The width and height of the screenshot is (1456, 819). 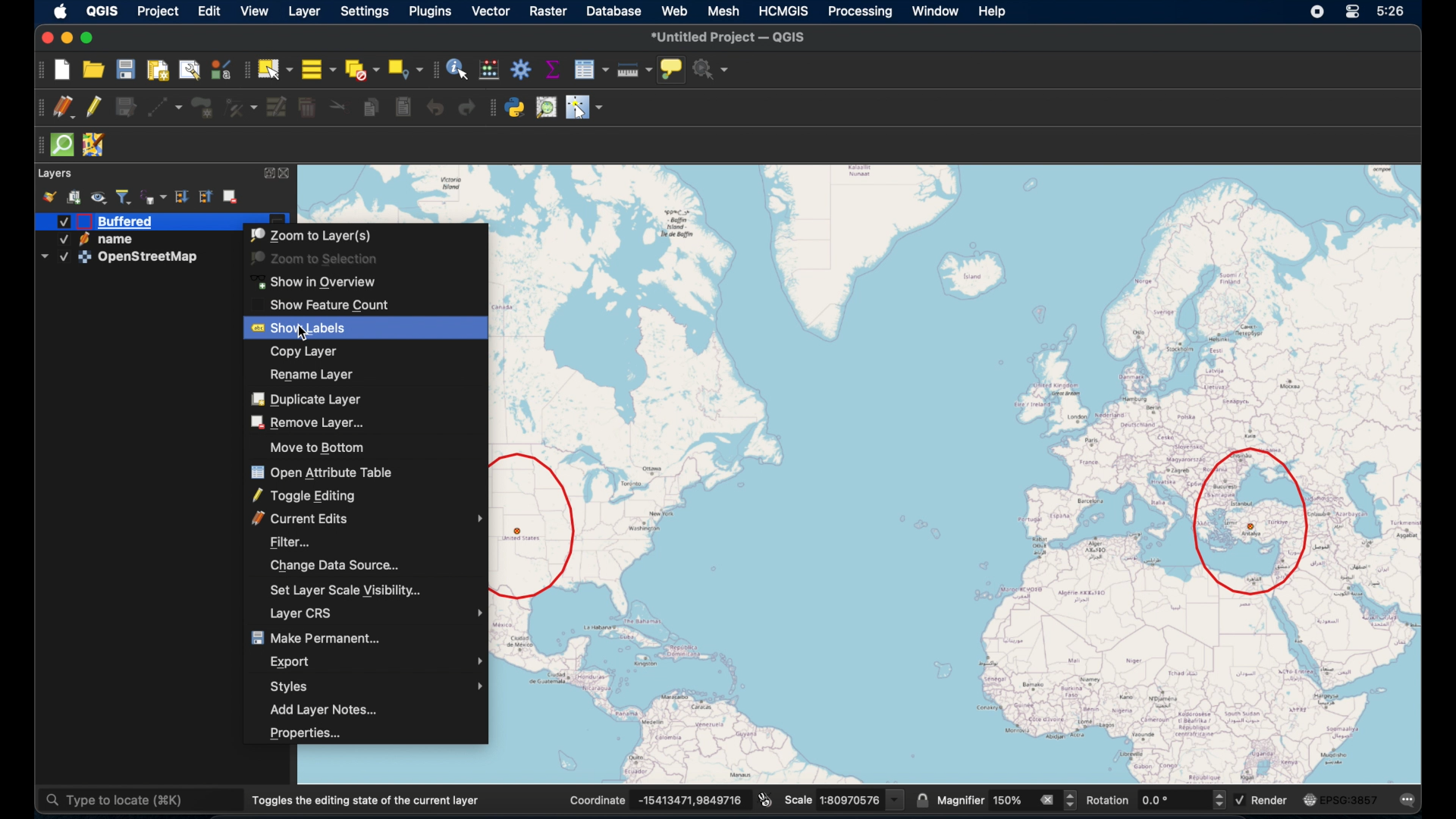 I want to click on set. layer scale visibility, so click(x=347, y=591).